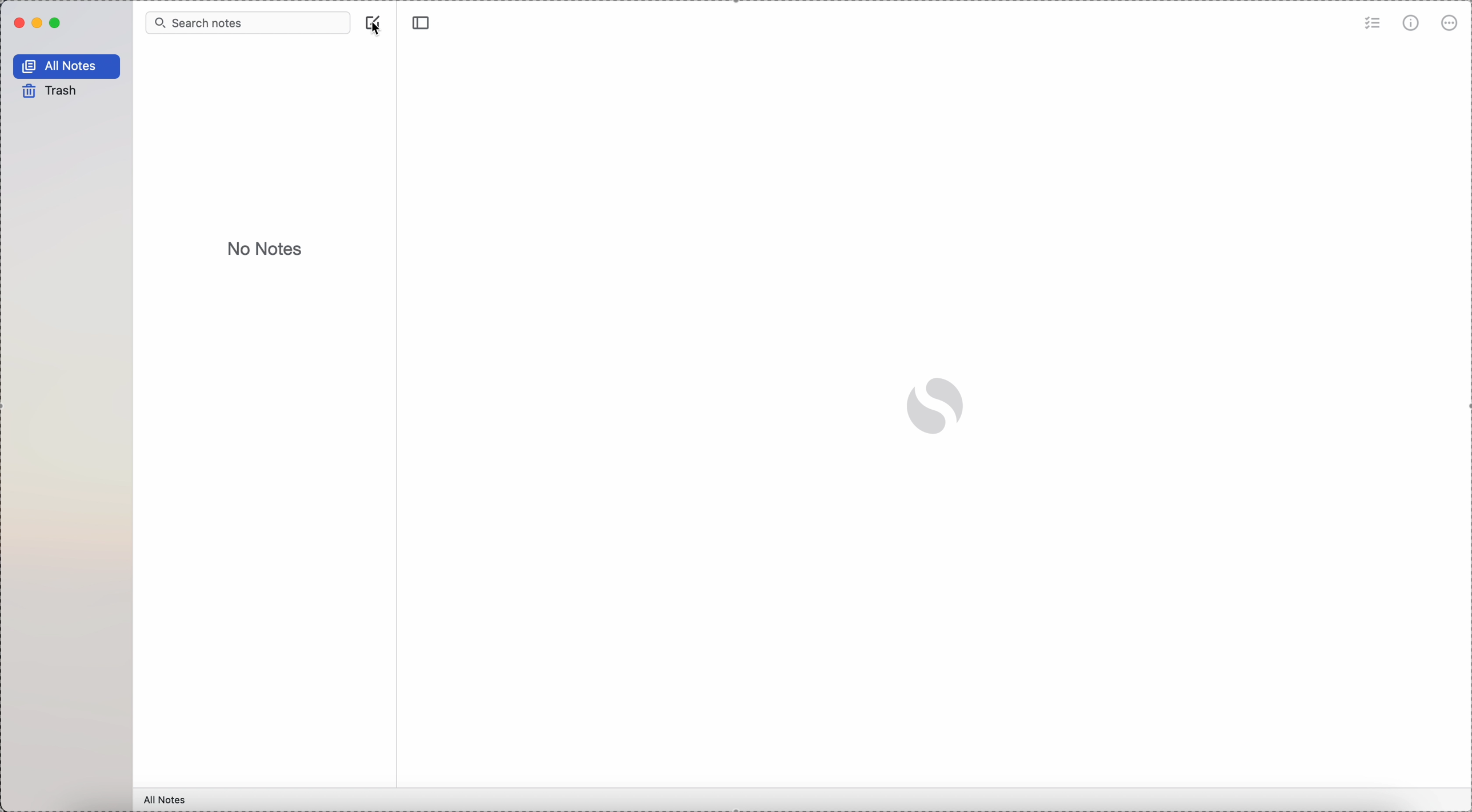  What do you see at coordinates (1451, 22) in the screenshot?
I see `more options` at bounding box center [1451, 22].